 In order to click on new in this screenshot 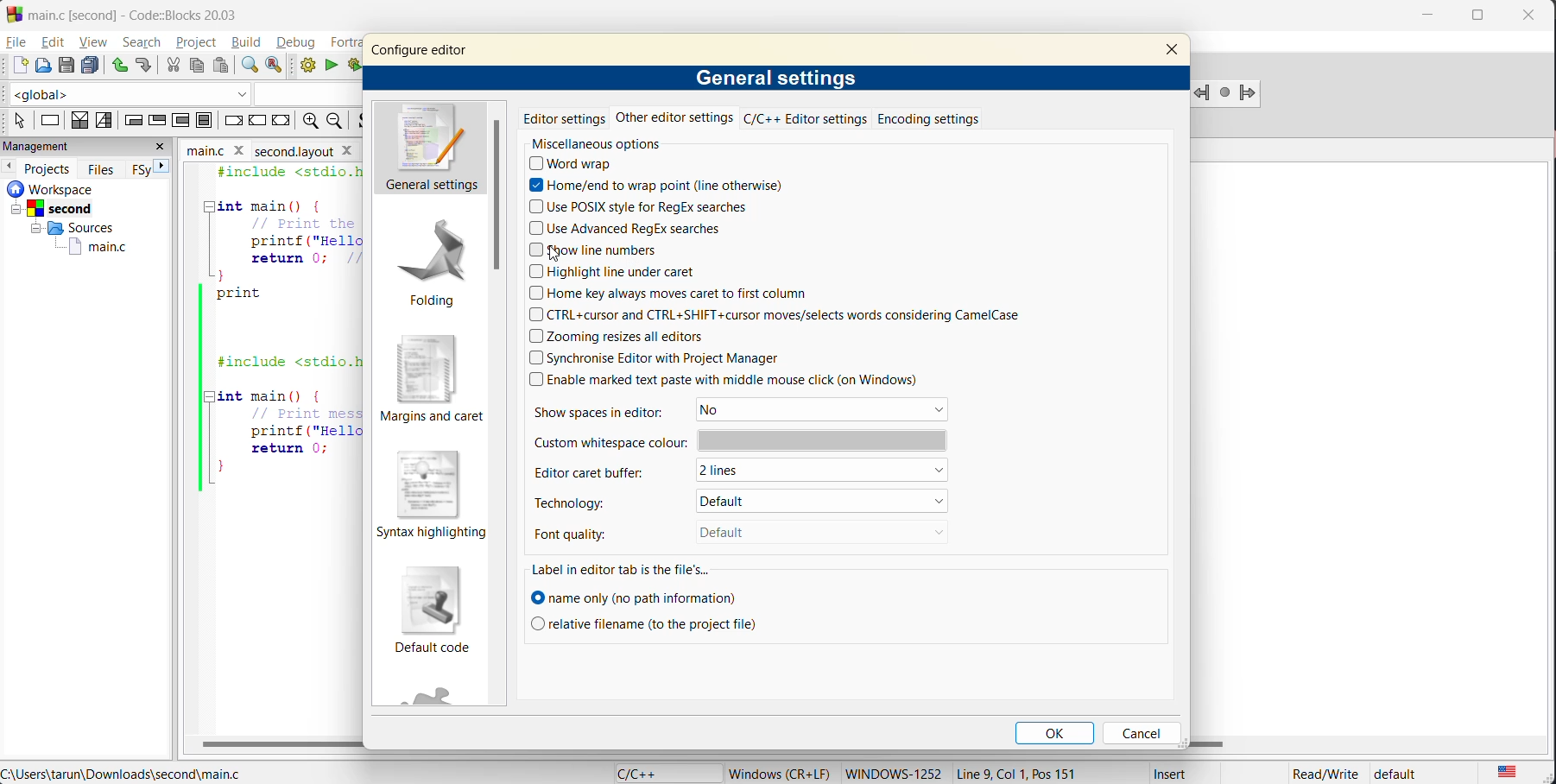, I will do `click(16, 66)`.